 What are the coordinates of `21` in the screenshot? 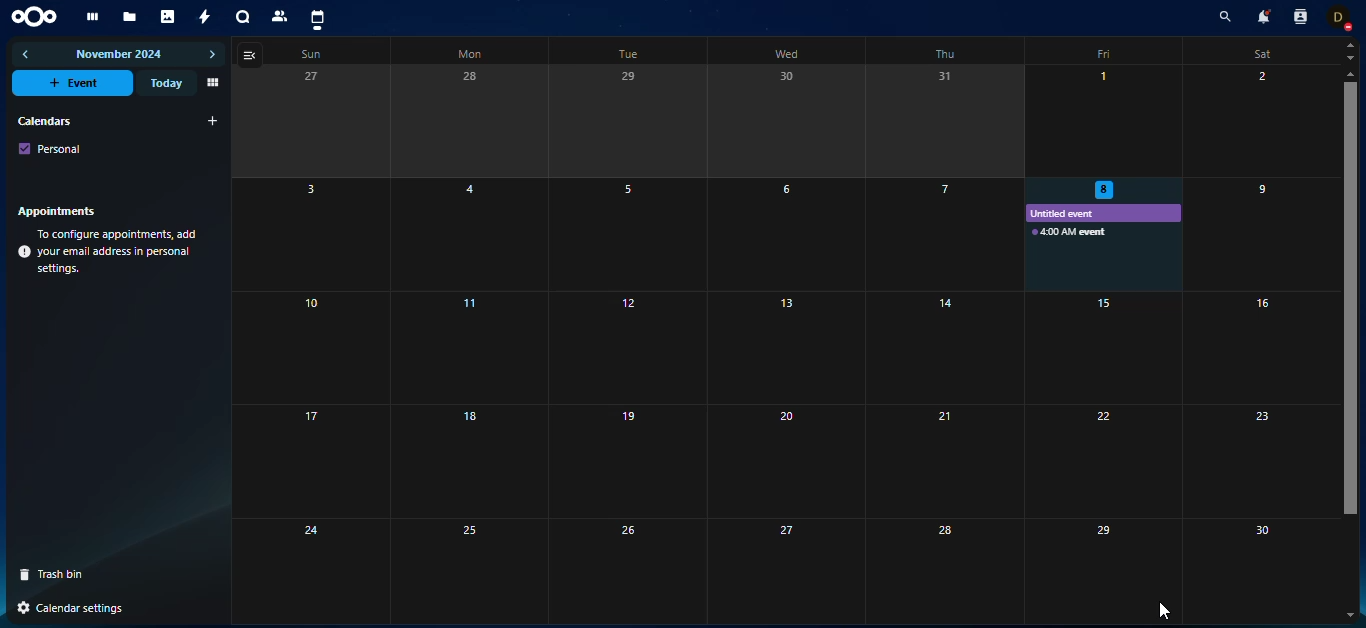 It's located at (937, 461).